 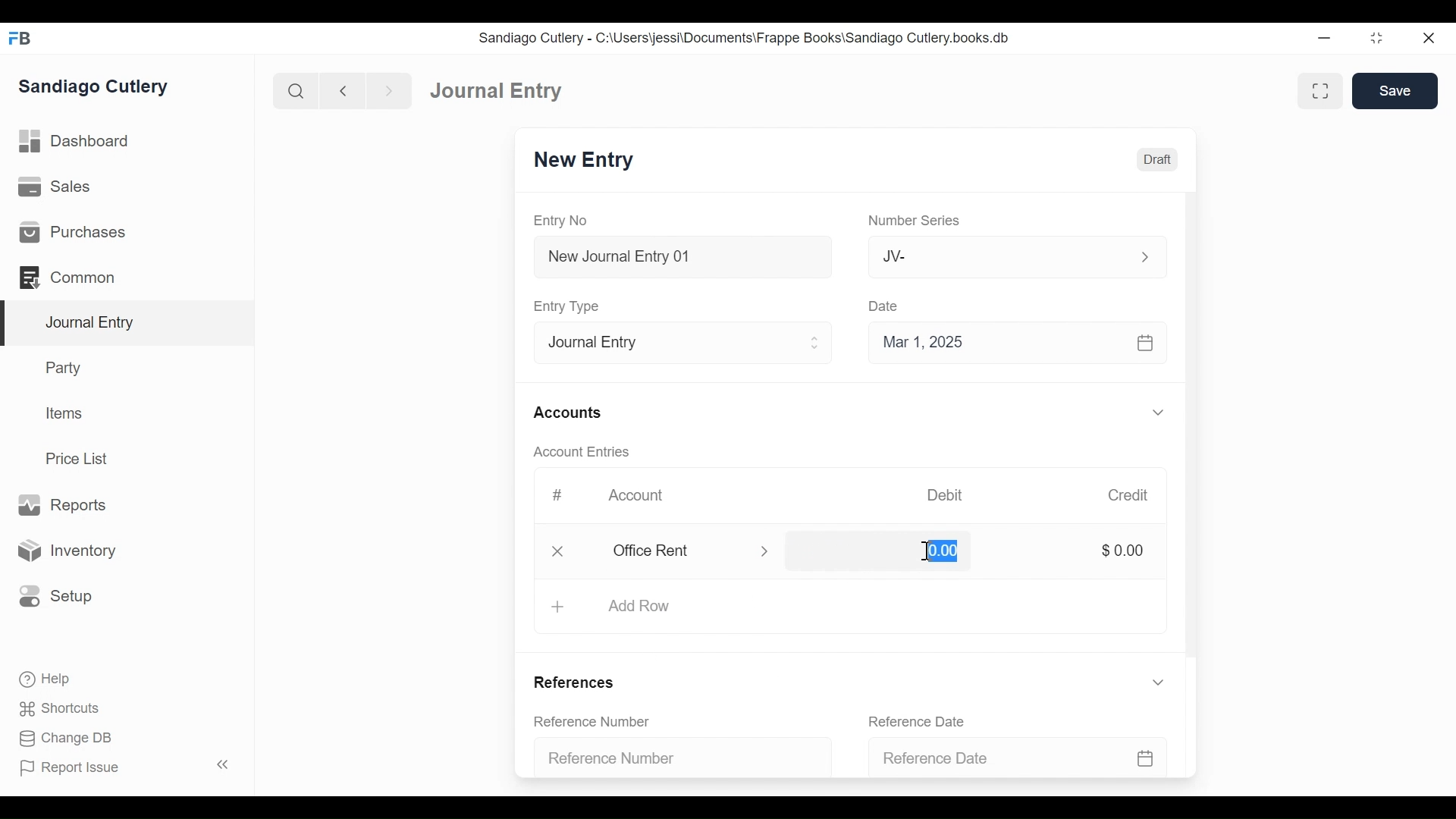 What do you see at coordinates (1434, 36) in the screenshot?
I see `close` at bounding box center [1434, 36].